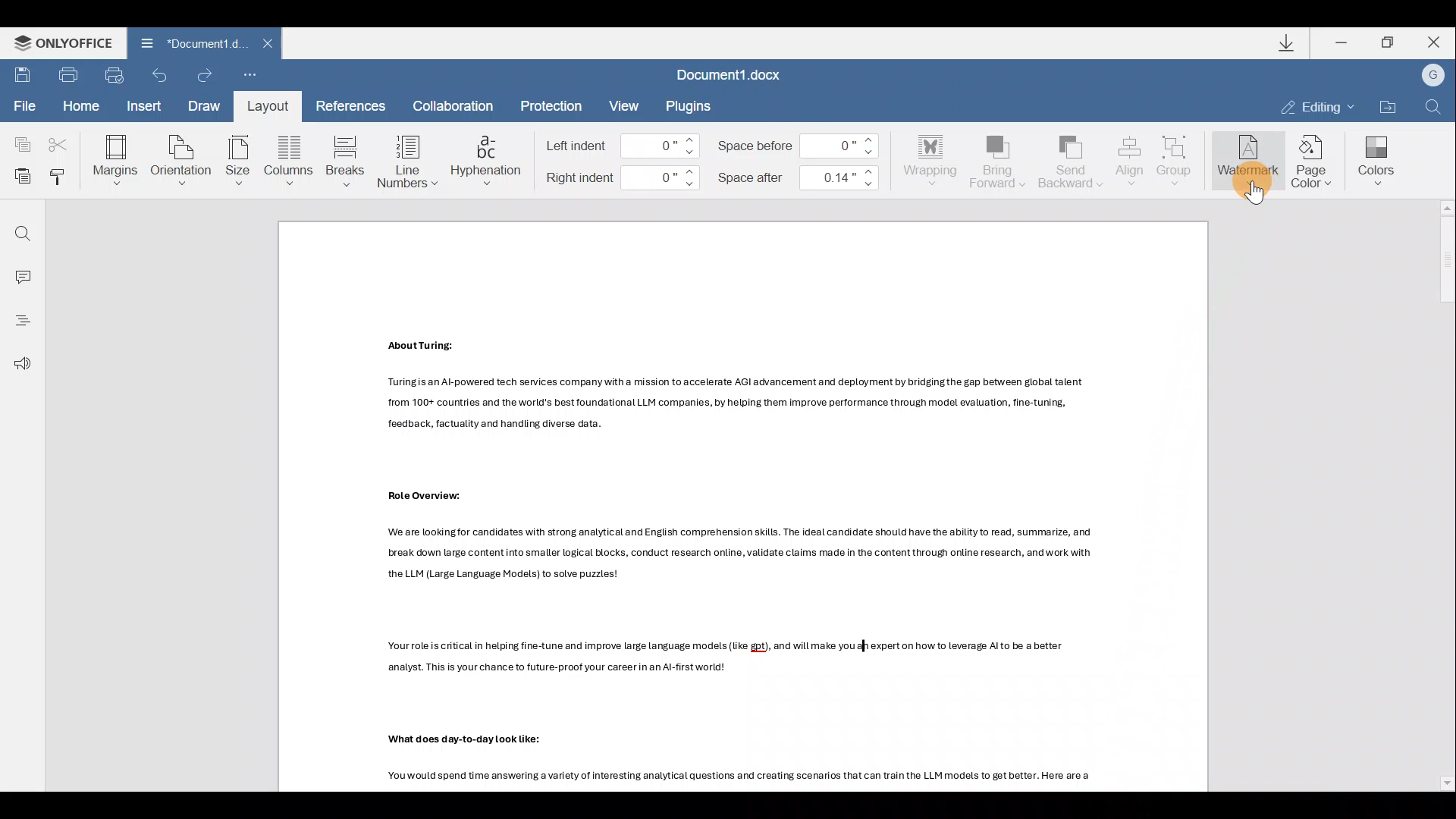  I want to click on , so click(727, 405).